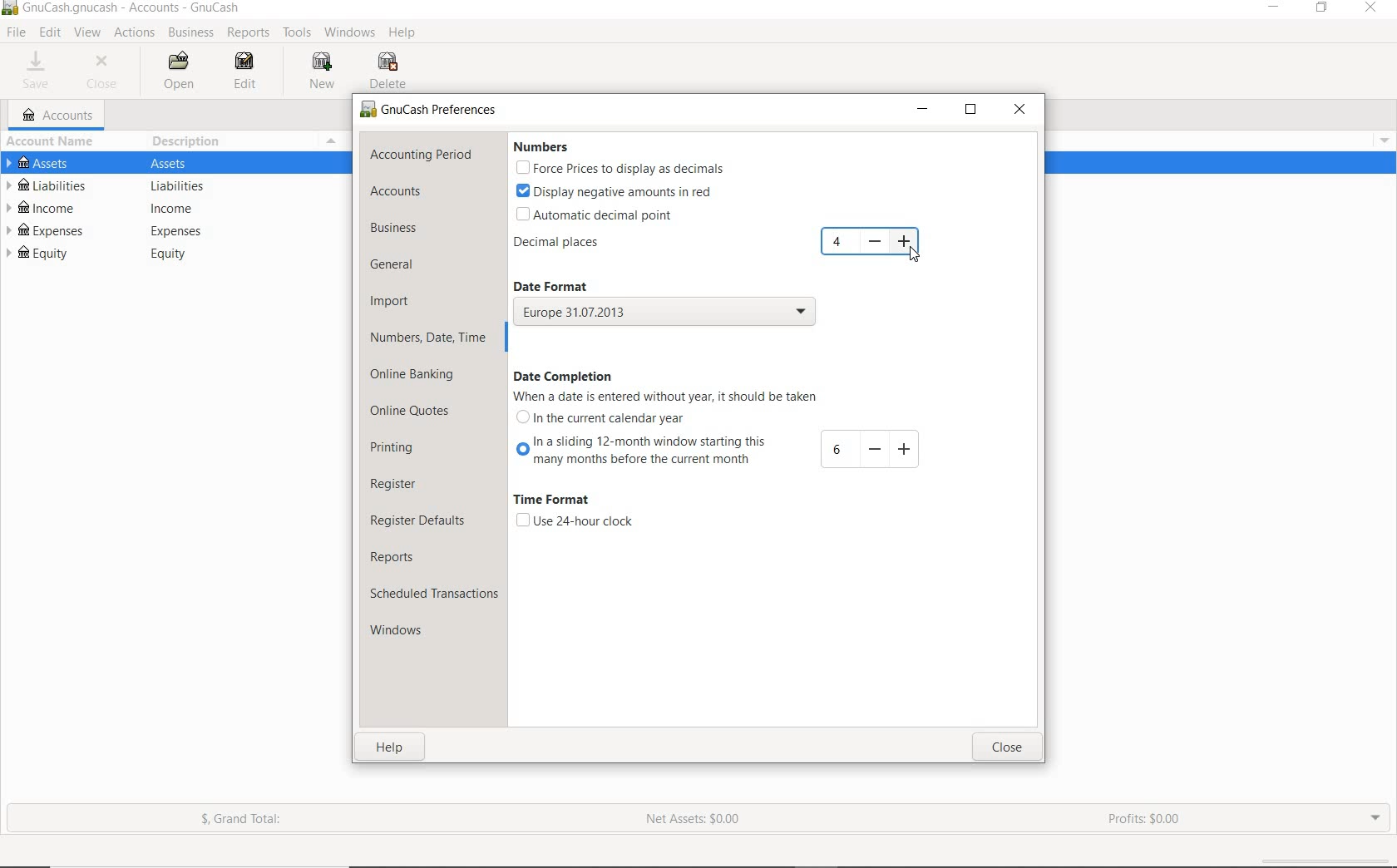 Image resolution: width=1397 pixels, height=868 pixels. Describe the element at coordinates (248, 33) in the screenshot. I see `REPORTS` at that location.